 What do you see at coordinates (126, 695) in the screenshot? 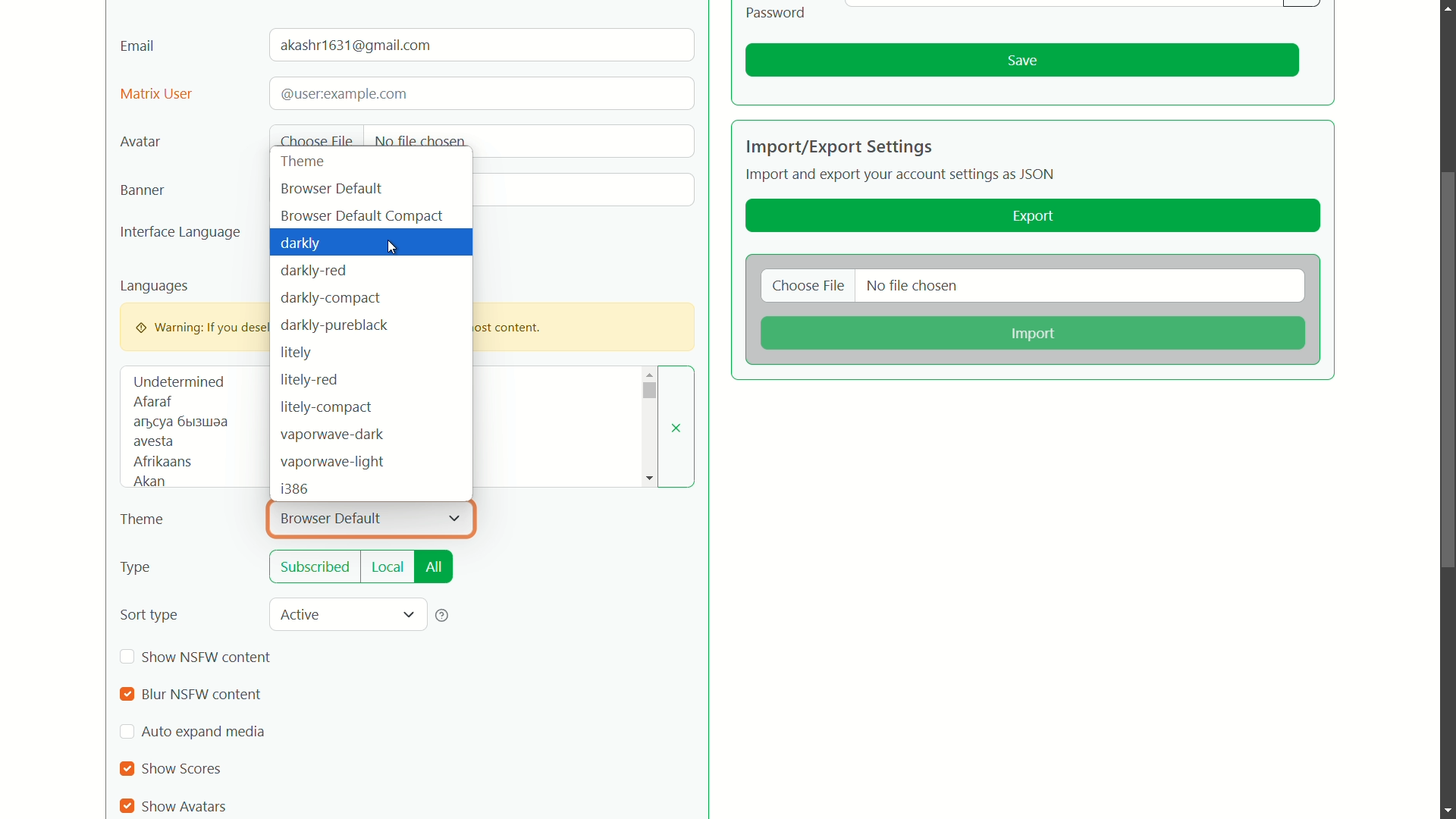
I see `checkbox` at bounding box center [126, 695].